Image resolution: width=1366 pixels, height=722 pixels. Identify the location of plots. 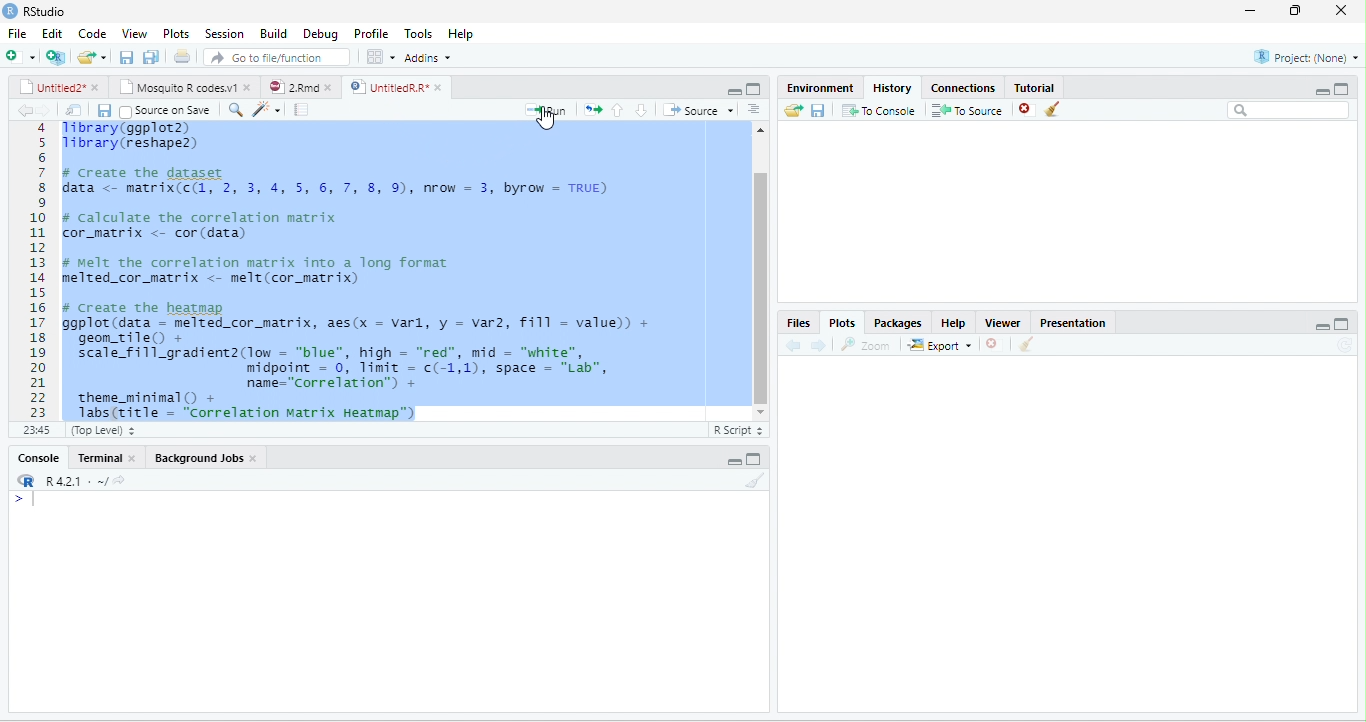
(844, 323).